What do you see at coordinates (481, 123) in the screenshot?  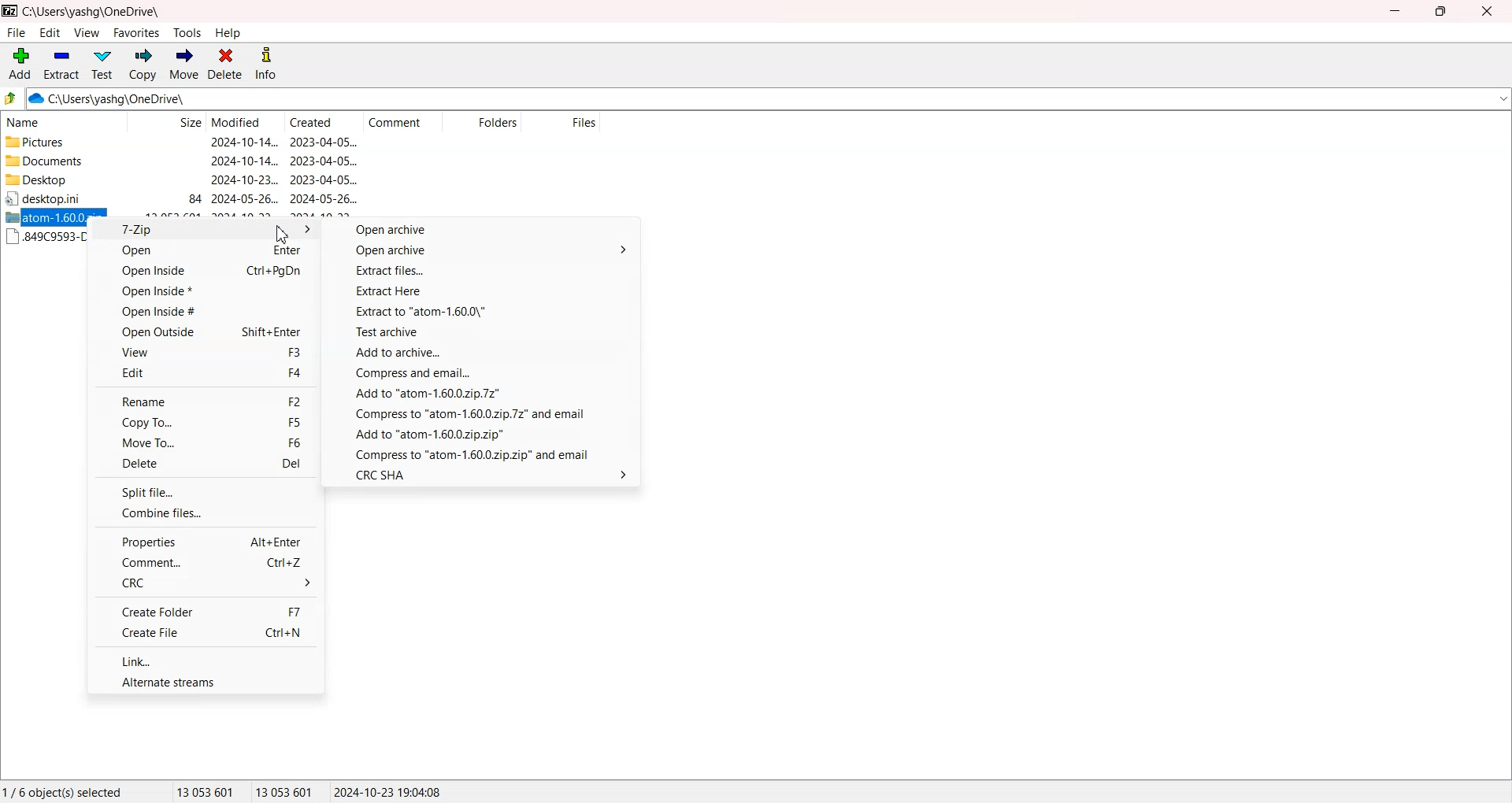 I see `Folders` at bounding box center [481, 123].